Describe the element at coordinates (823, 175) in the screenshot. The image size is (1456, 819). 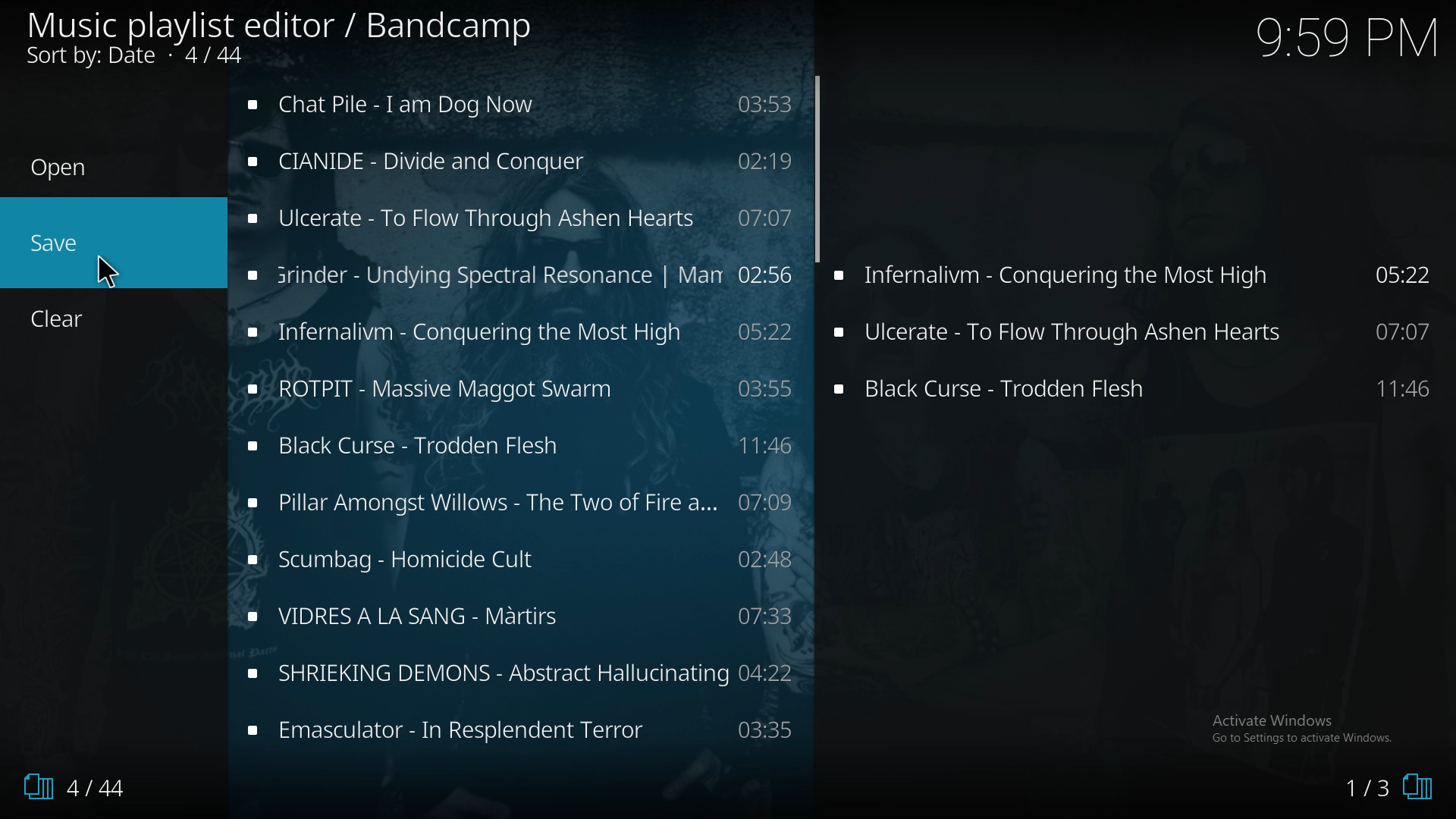
I see `scroll bar` at that location.